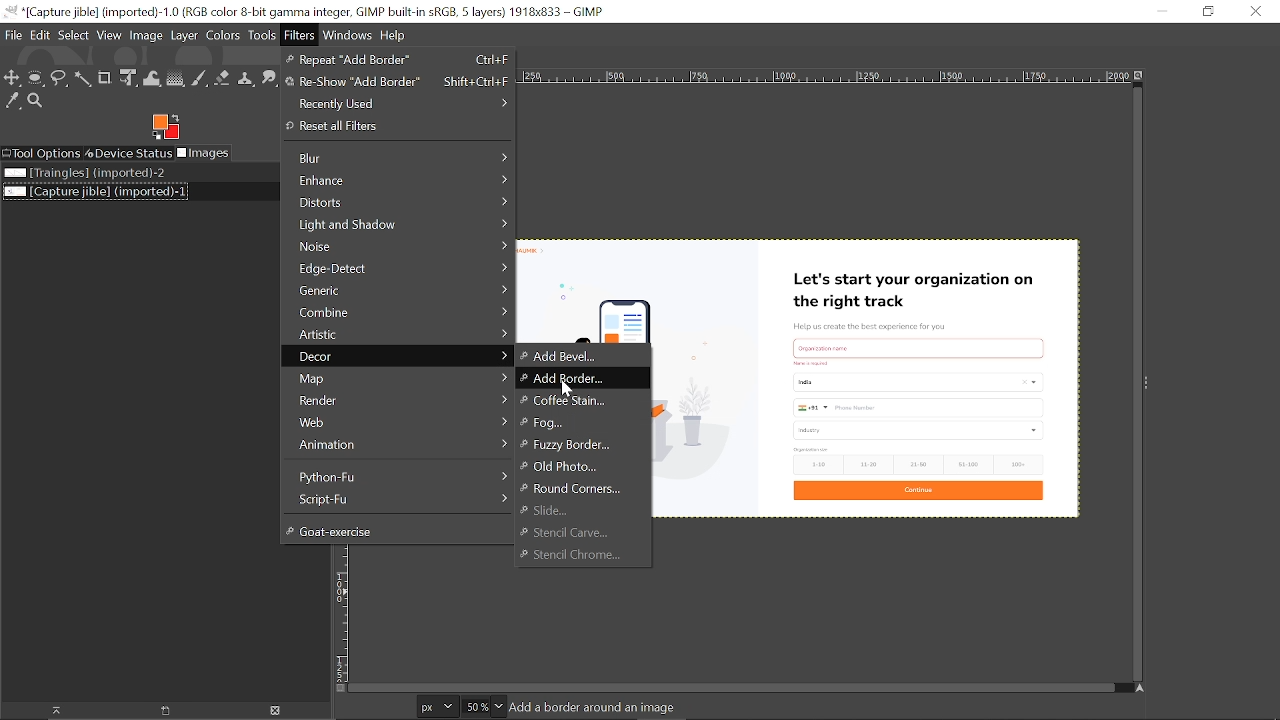 This screenshot has height=720, width=1280. I want to click on Round corners, so click(575, 488).